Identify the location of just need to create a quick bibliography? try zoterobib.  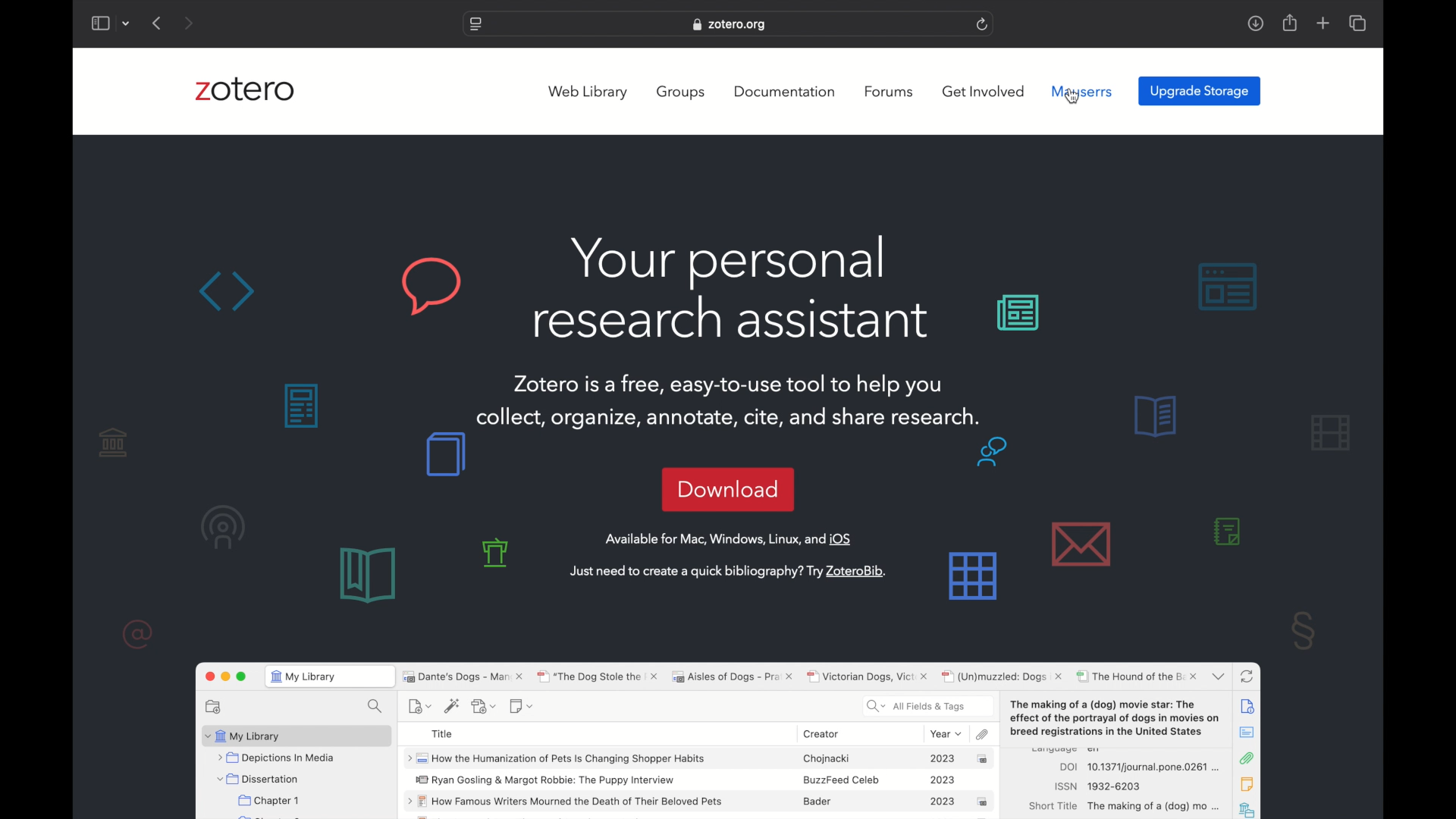
(728, 573).